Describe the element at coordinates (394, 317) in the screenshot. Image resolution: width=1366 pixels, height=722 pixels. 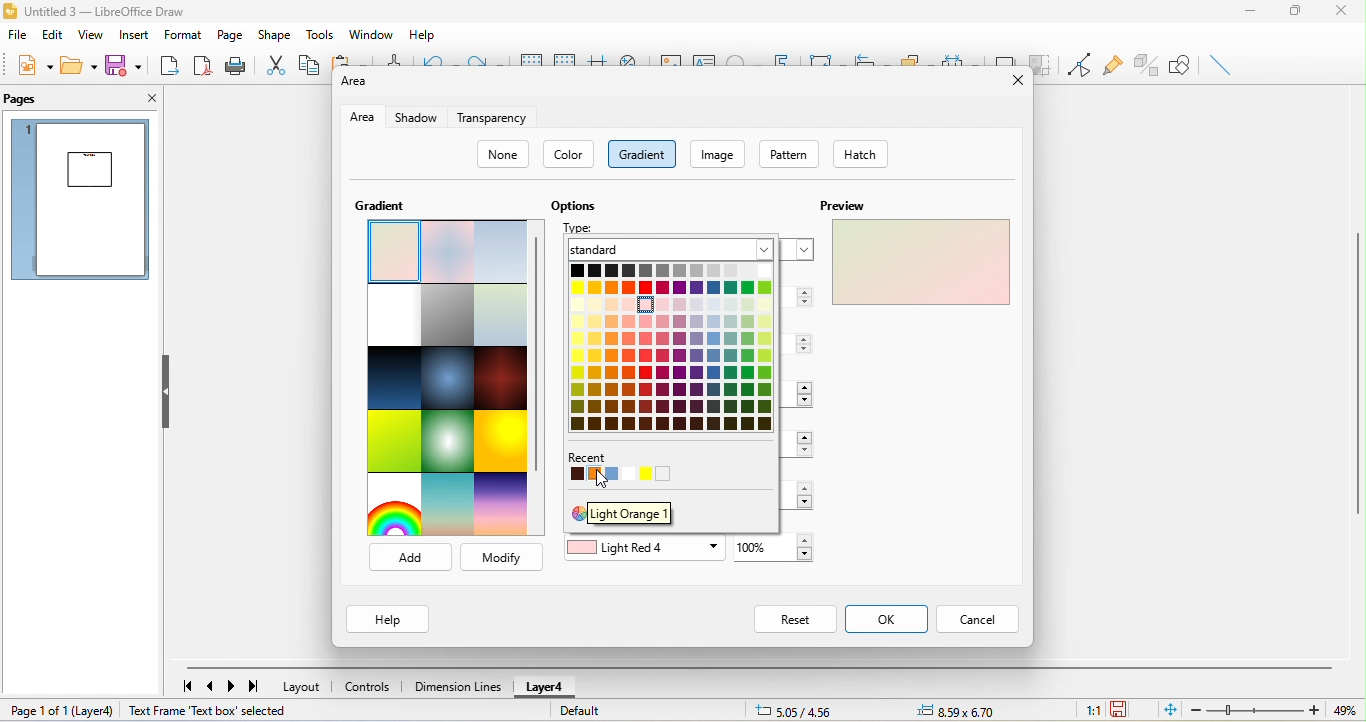
I see `blank with grey` at that location.